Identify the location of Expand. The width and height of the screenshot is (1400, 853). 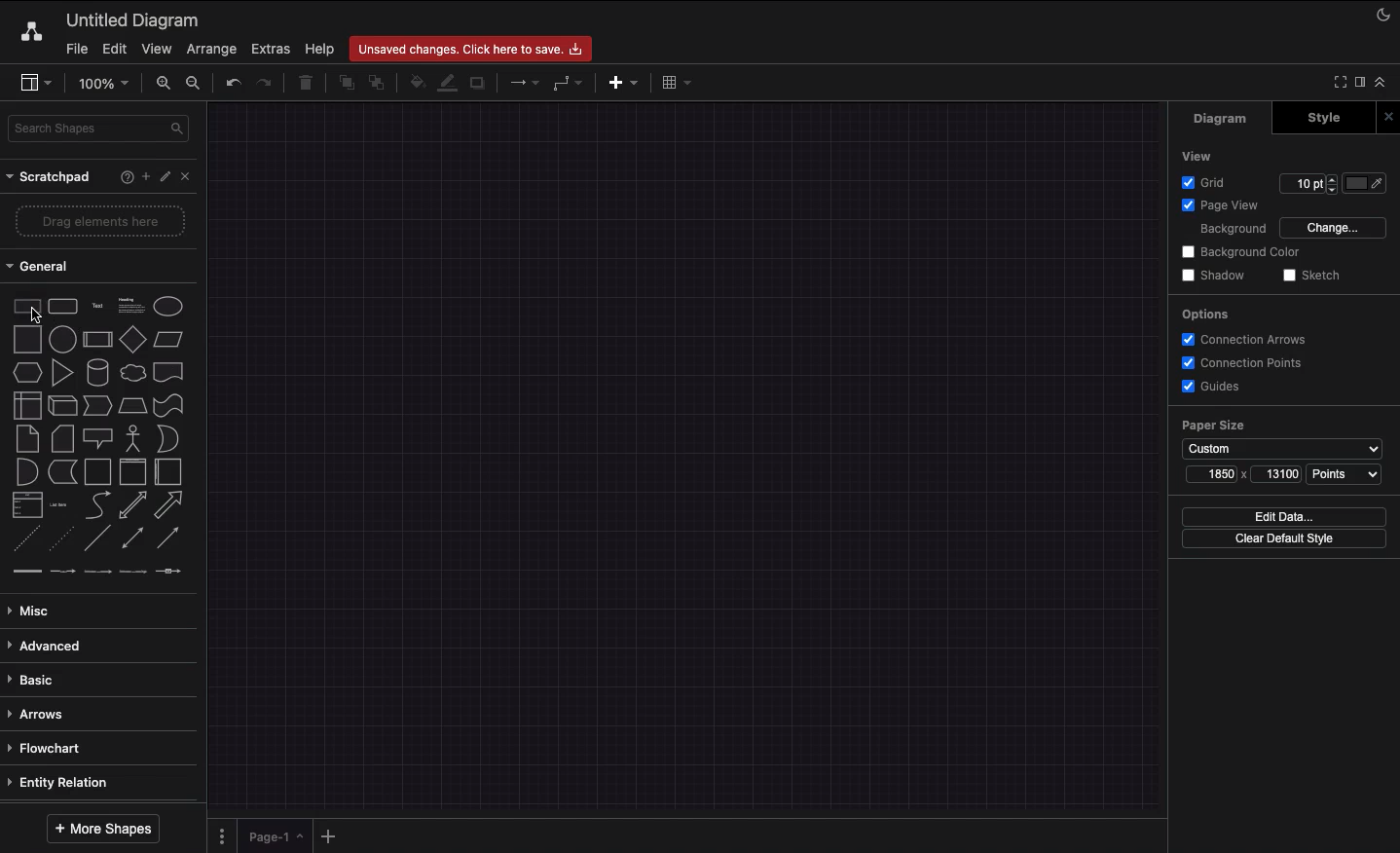
(1360, 82).